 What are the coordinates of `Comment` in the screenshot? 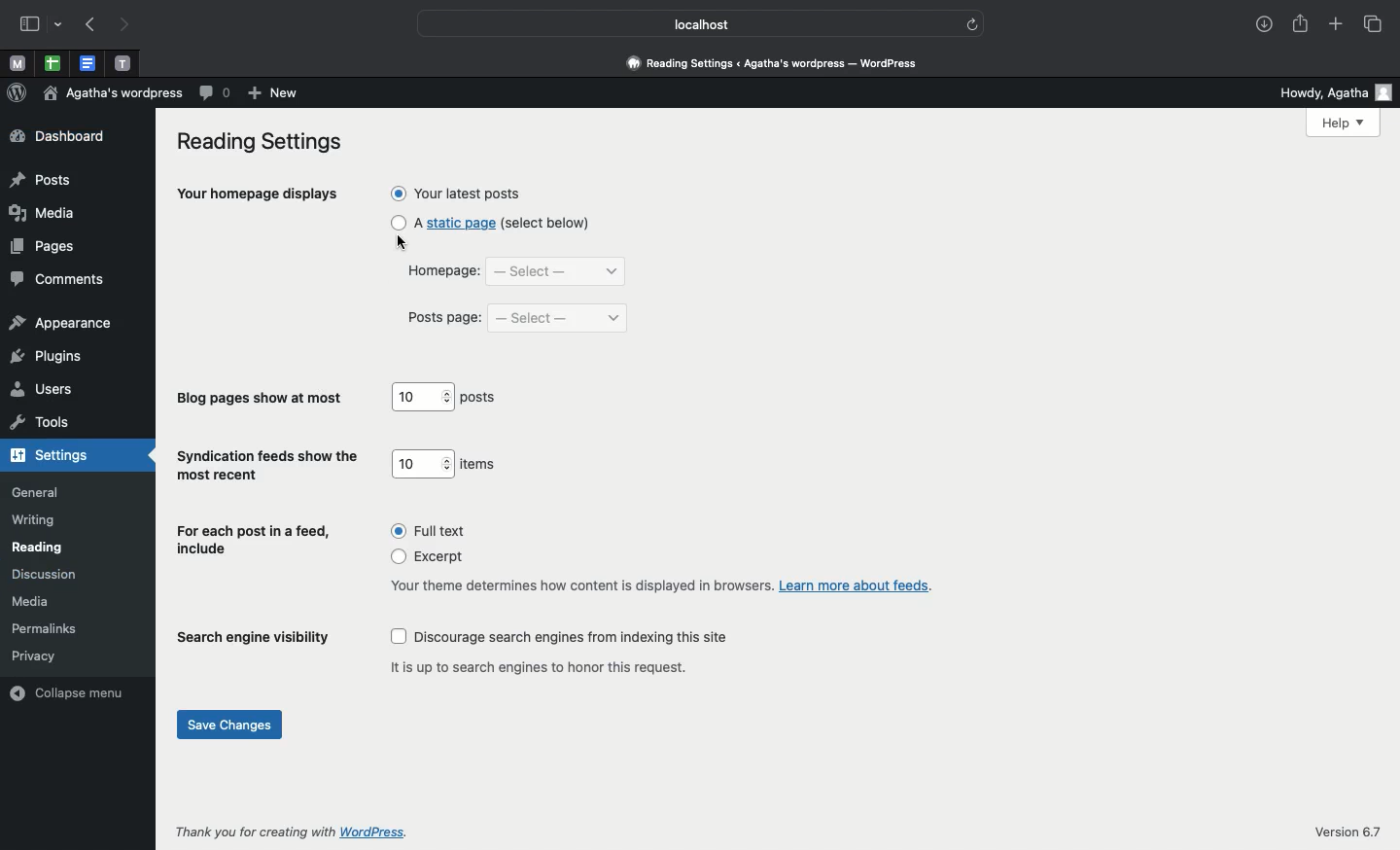 It's located at (216, 93).